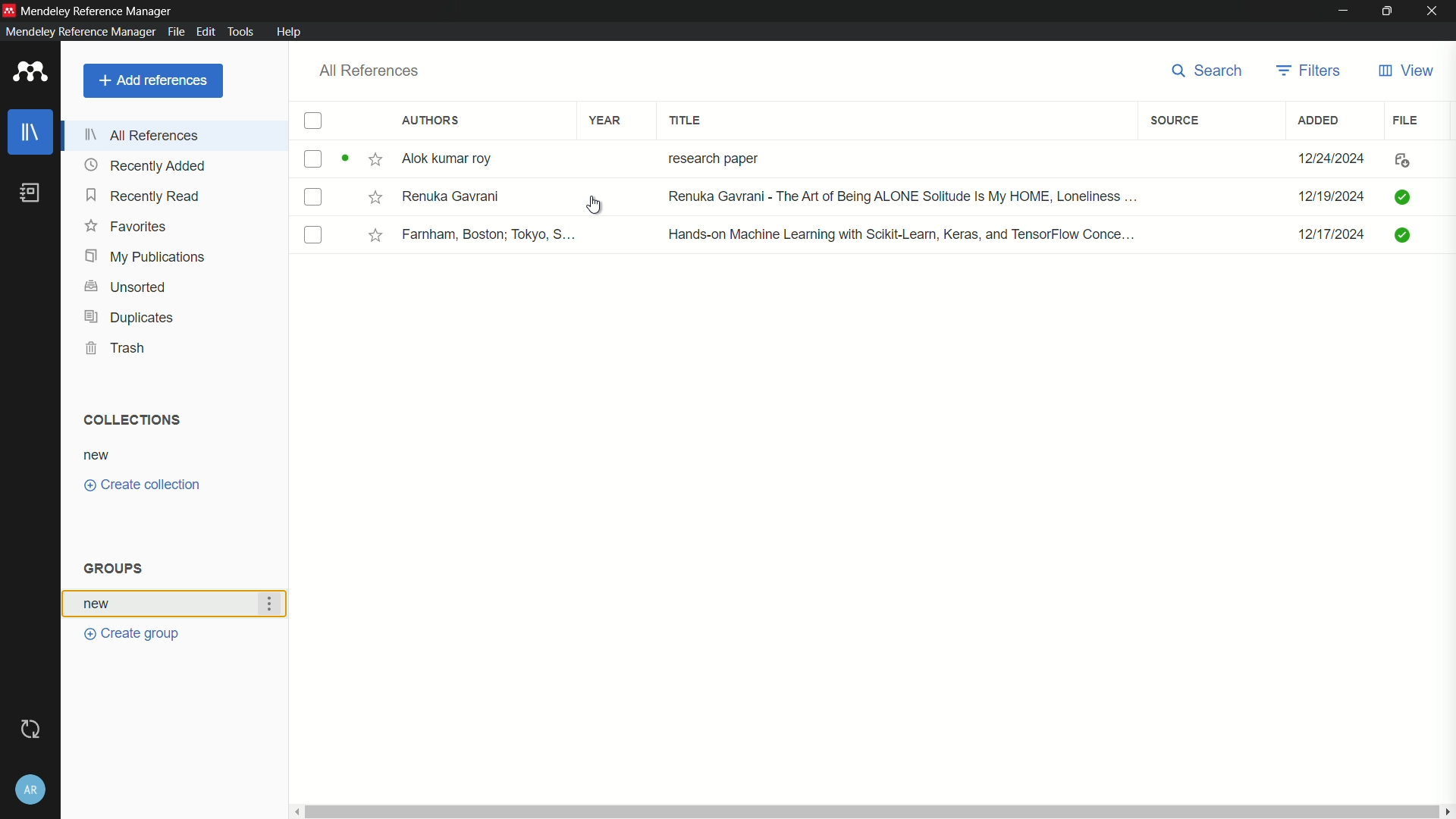  What do you see at coordinates (1344, 10) in the screenshot?
I see `minimize` at bounding box center [1344, 10].